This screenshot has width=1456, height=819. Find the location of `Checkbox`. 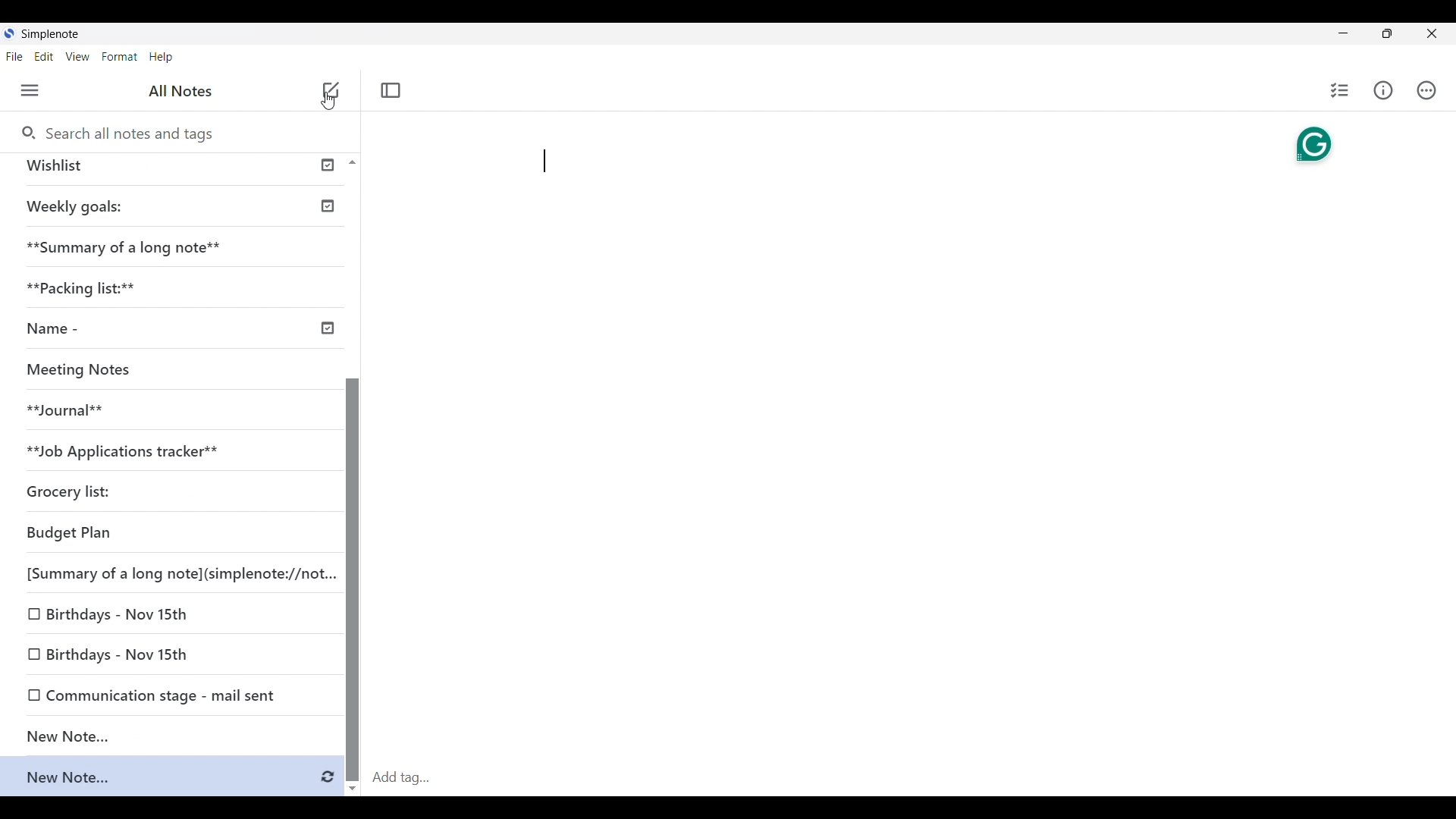

Checkbox is located at coordinates (32, 654).